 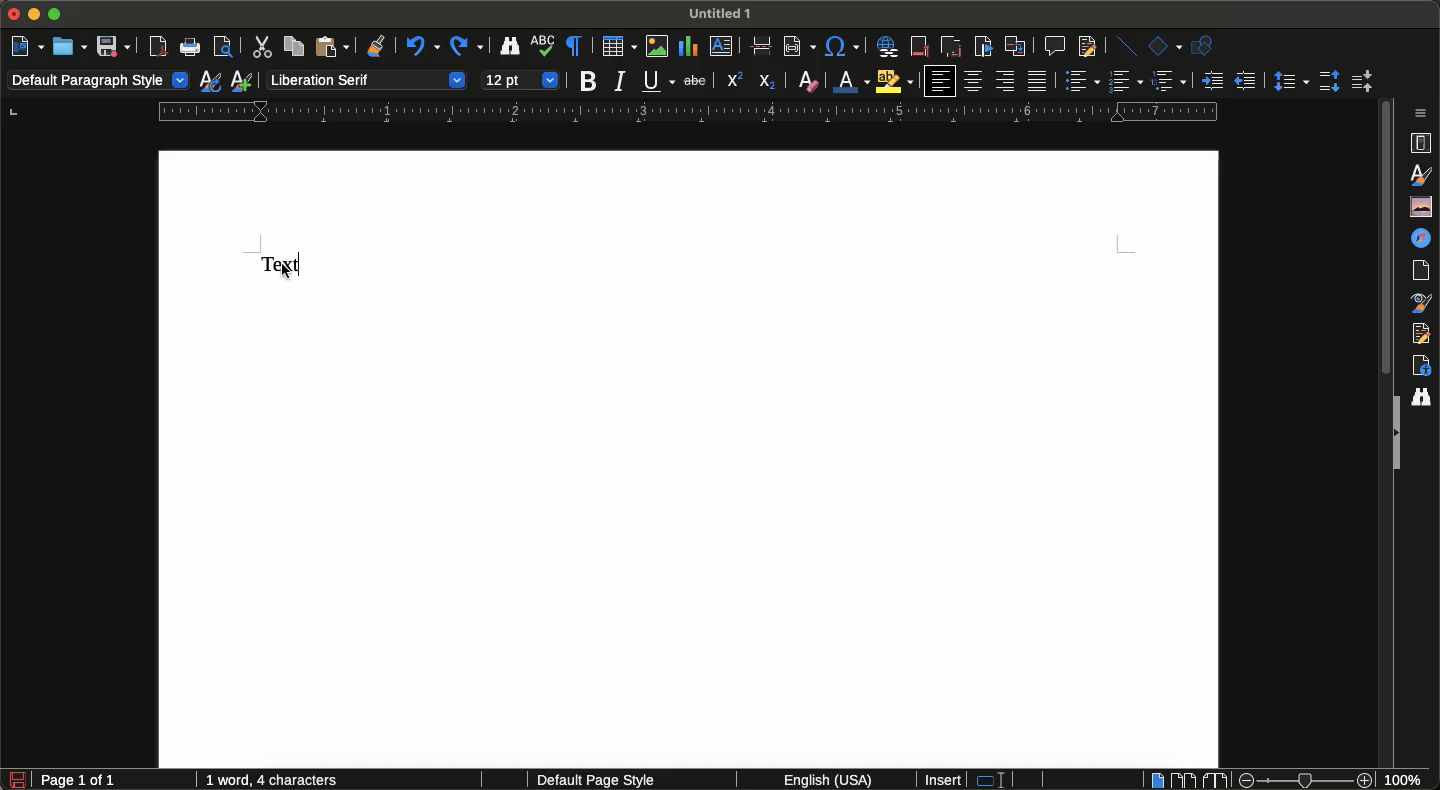 I want to click on Export directly as PDF, so click(x=159, y=47).